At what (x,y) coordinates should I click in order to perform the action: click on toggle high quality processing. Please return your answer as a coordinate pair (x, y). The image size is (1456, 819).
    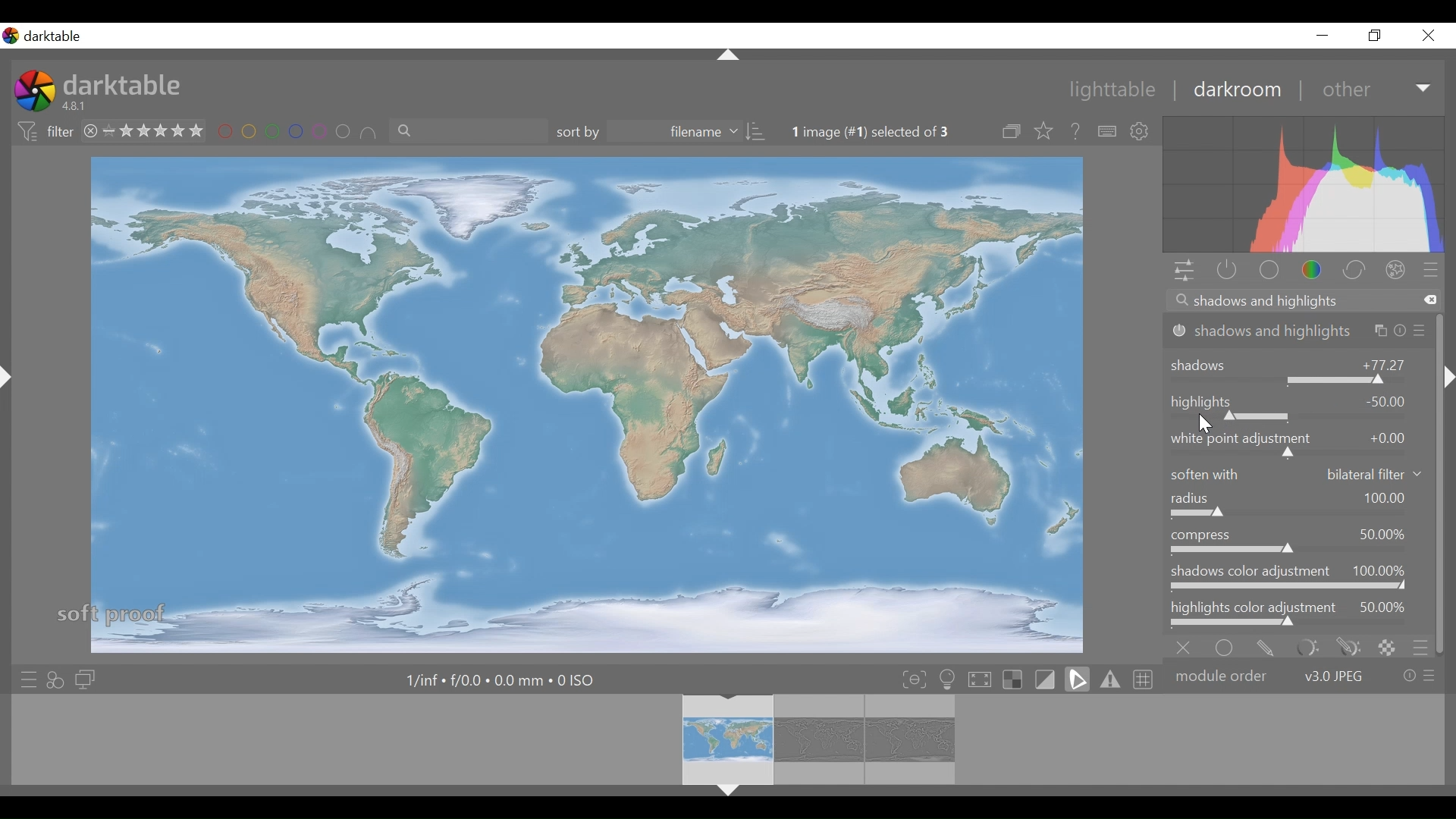
    Looking at the image, I should click on (981, 680).